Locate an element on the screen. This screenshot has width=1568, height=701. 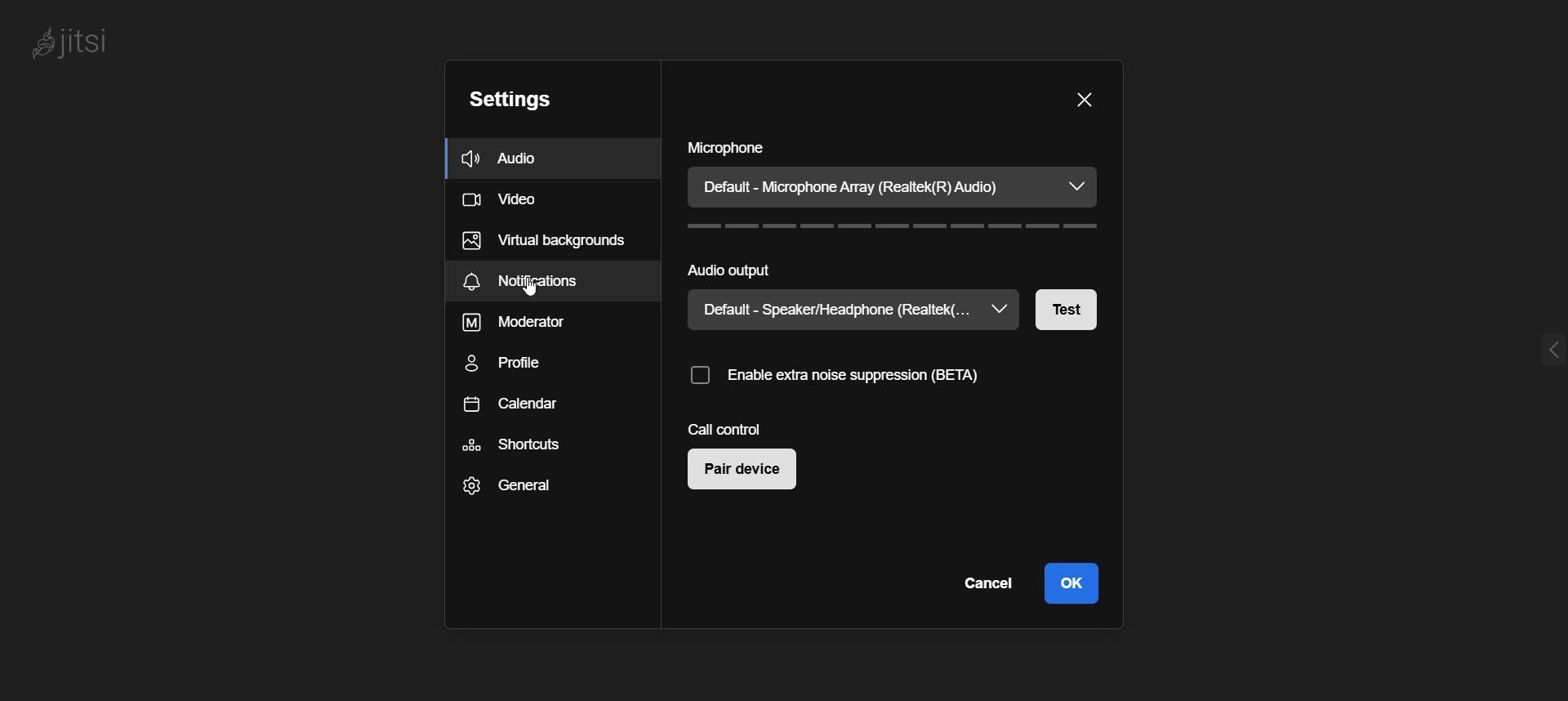
cursor is located at coordinates (539, 296).